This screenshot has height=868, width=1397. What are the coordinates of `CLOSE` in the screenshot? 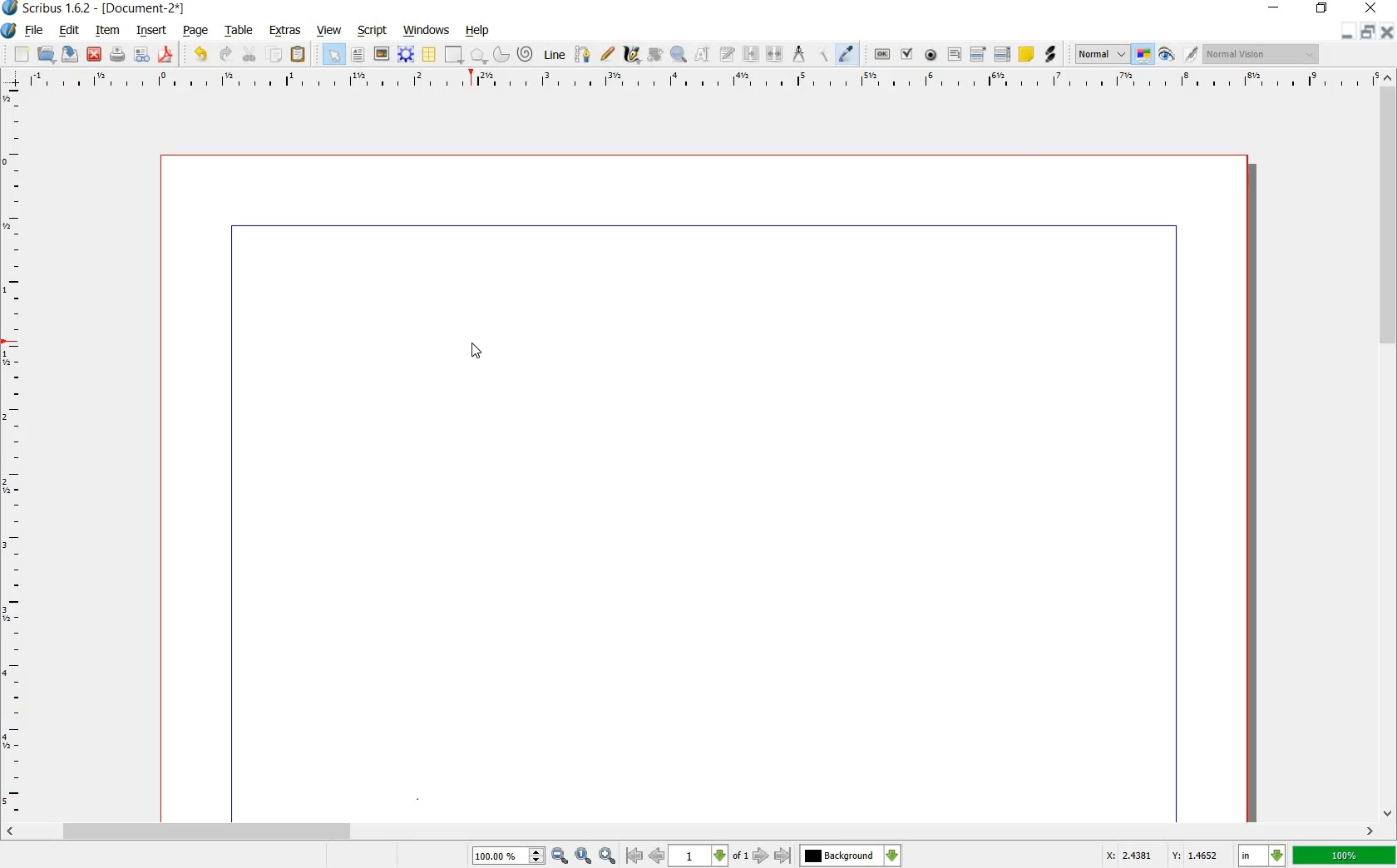 It's located at (1389, 32).